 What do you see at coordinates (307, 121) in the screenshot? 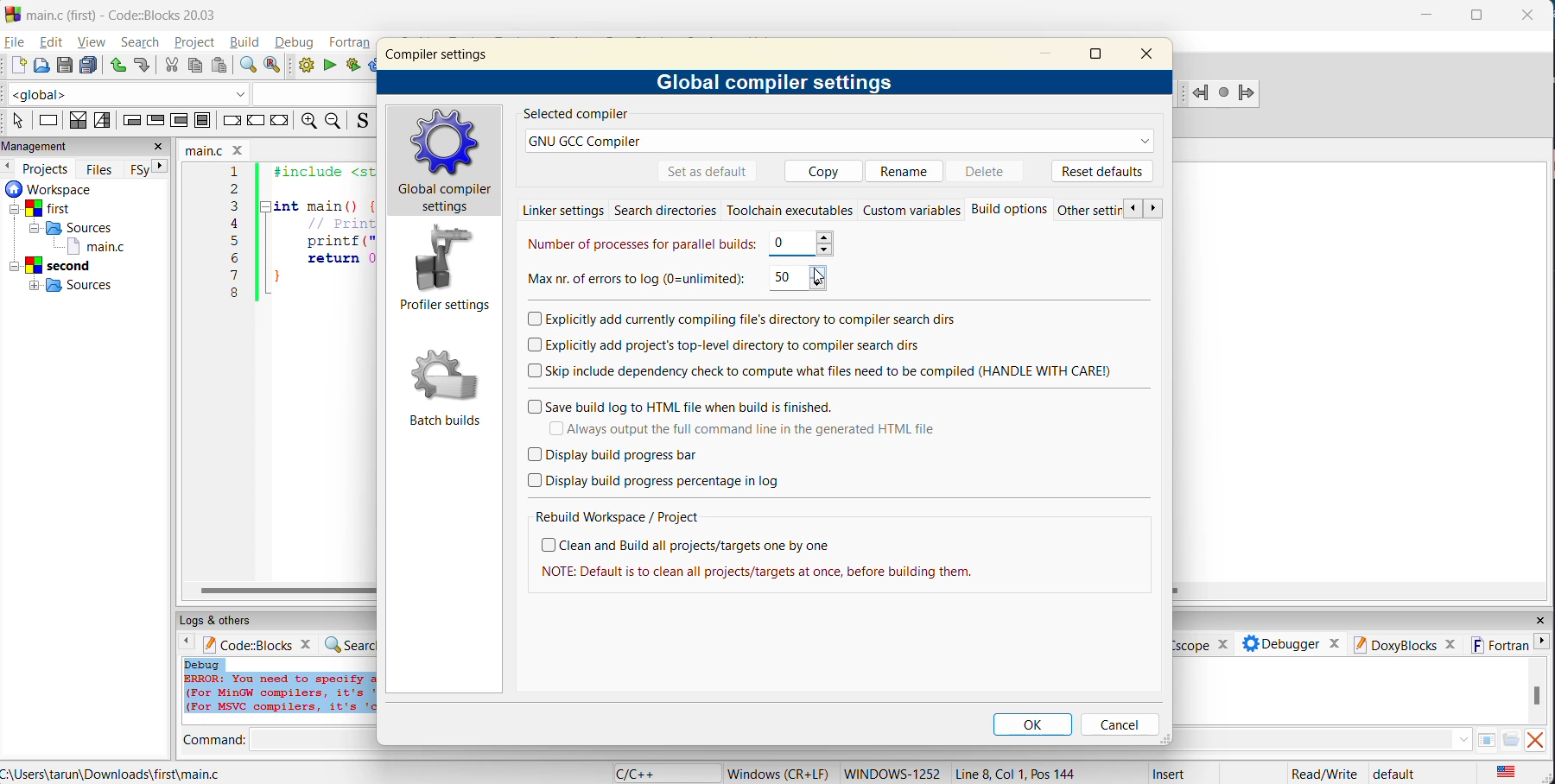
I see `zoom in` at bounding box center [307, 121].